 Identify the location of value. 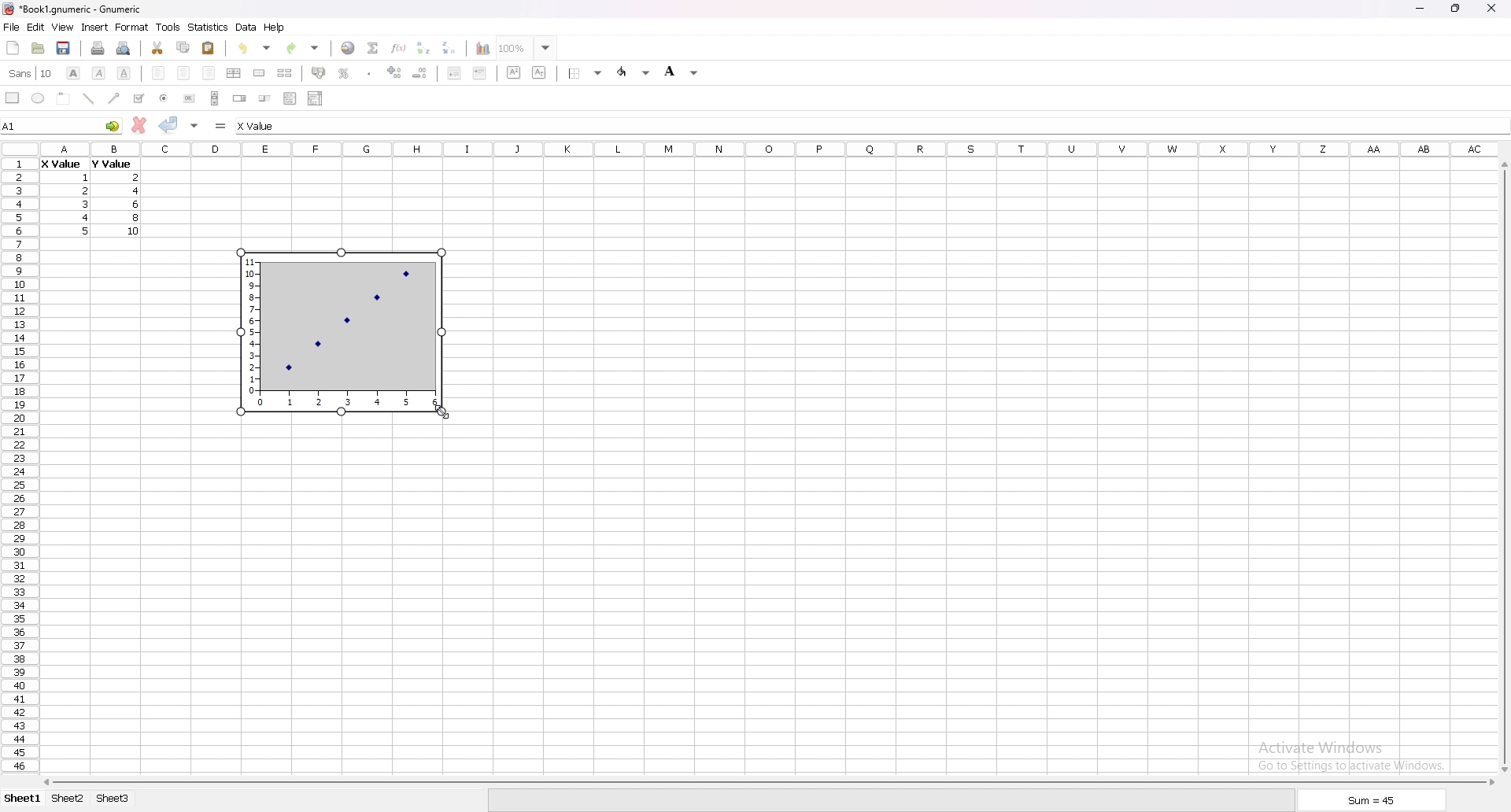
(137, 218).